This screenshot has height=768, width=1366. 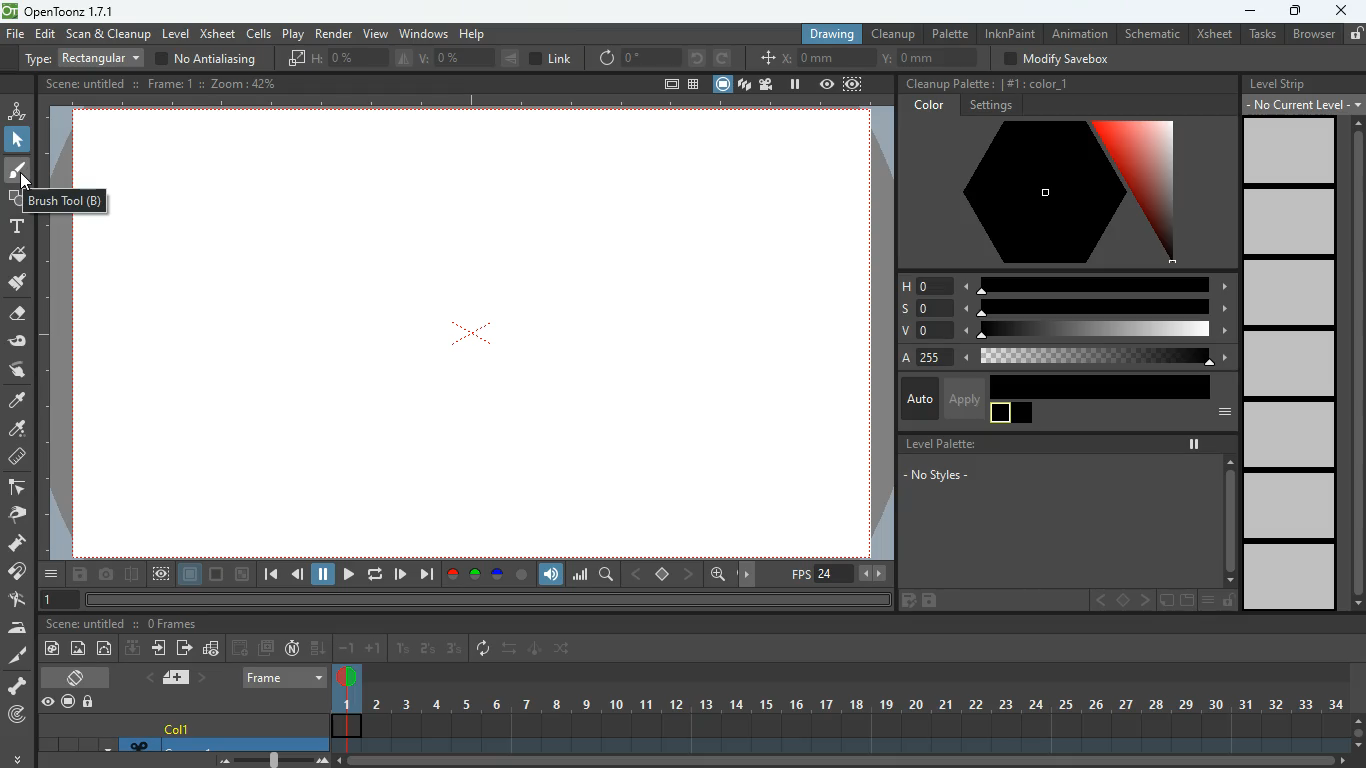 What do you see at coordinates (170, 83) in the screenshot?
I see `frame` at bounding box center [170, 83].